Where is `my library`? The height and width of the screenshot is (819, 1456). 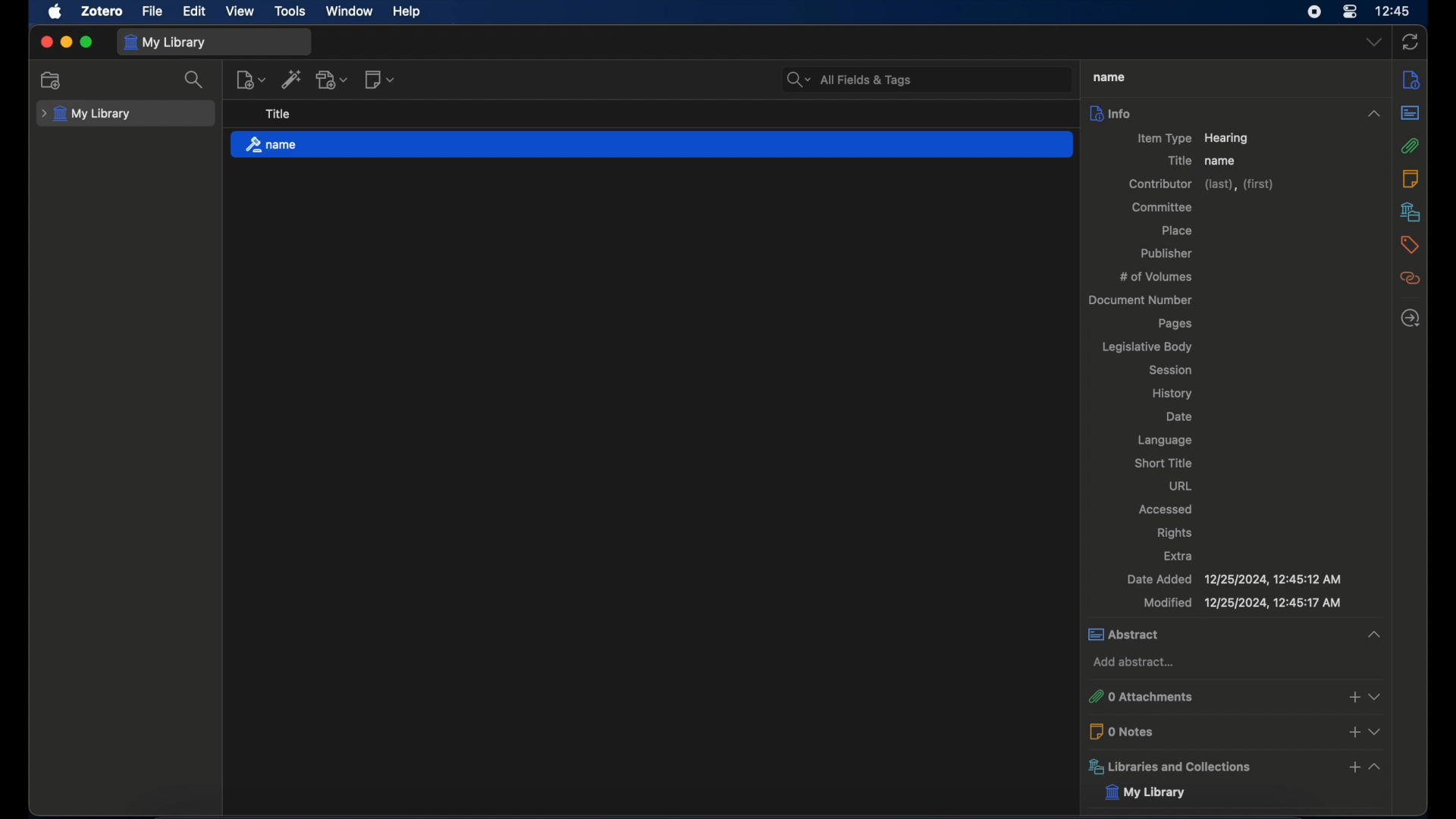
my library is located at coordinates (165, 43).